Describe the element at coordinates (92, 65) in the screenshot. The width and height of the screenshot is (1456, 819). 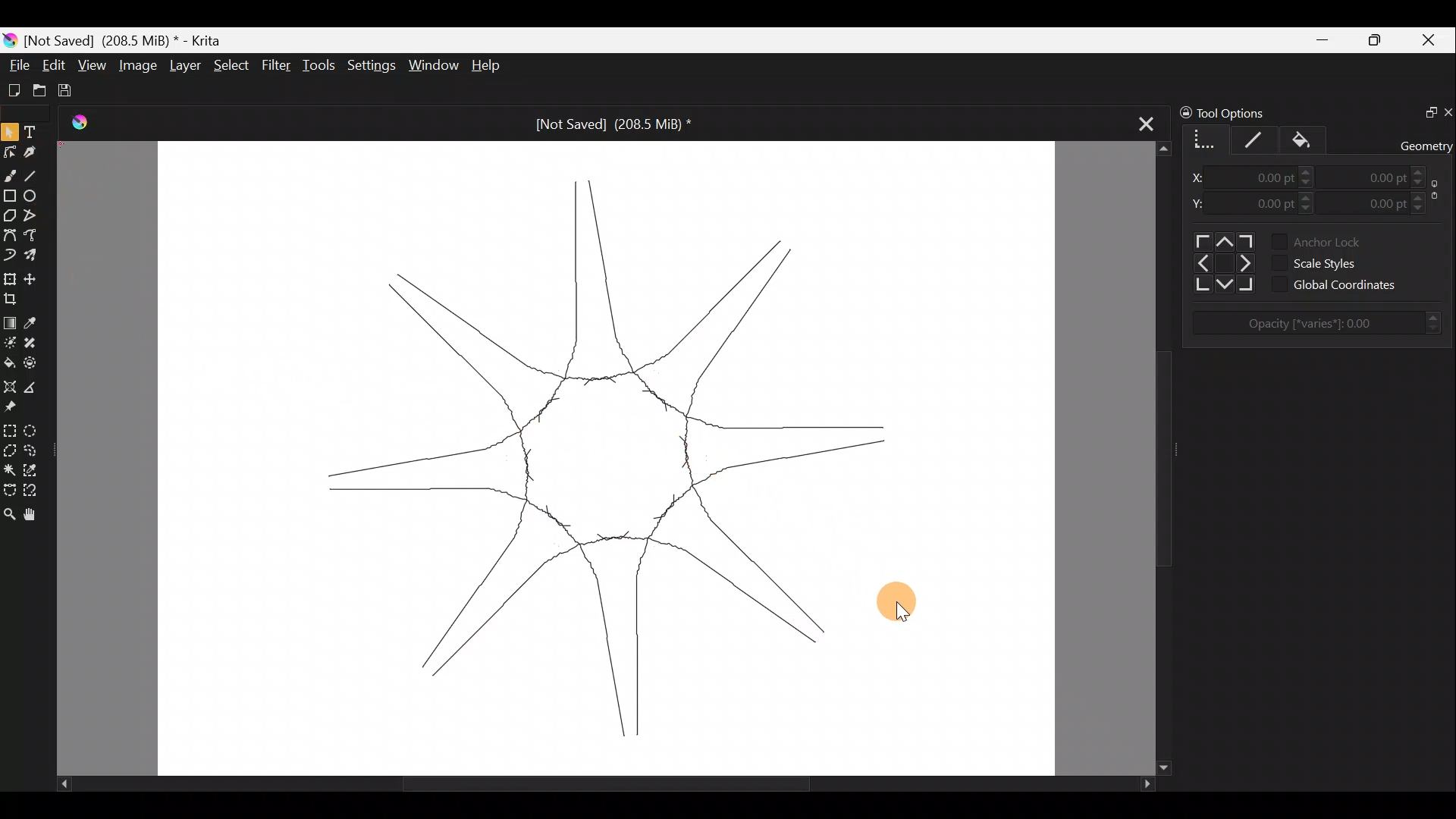
I see `View` at that location.